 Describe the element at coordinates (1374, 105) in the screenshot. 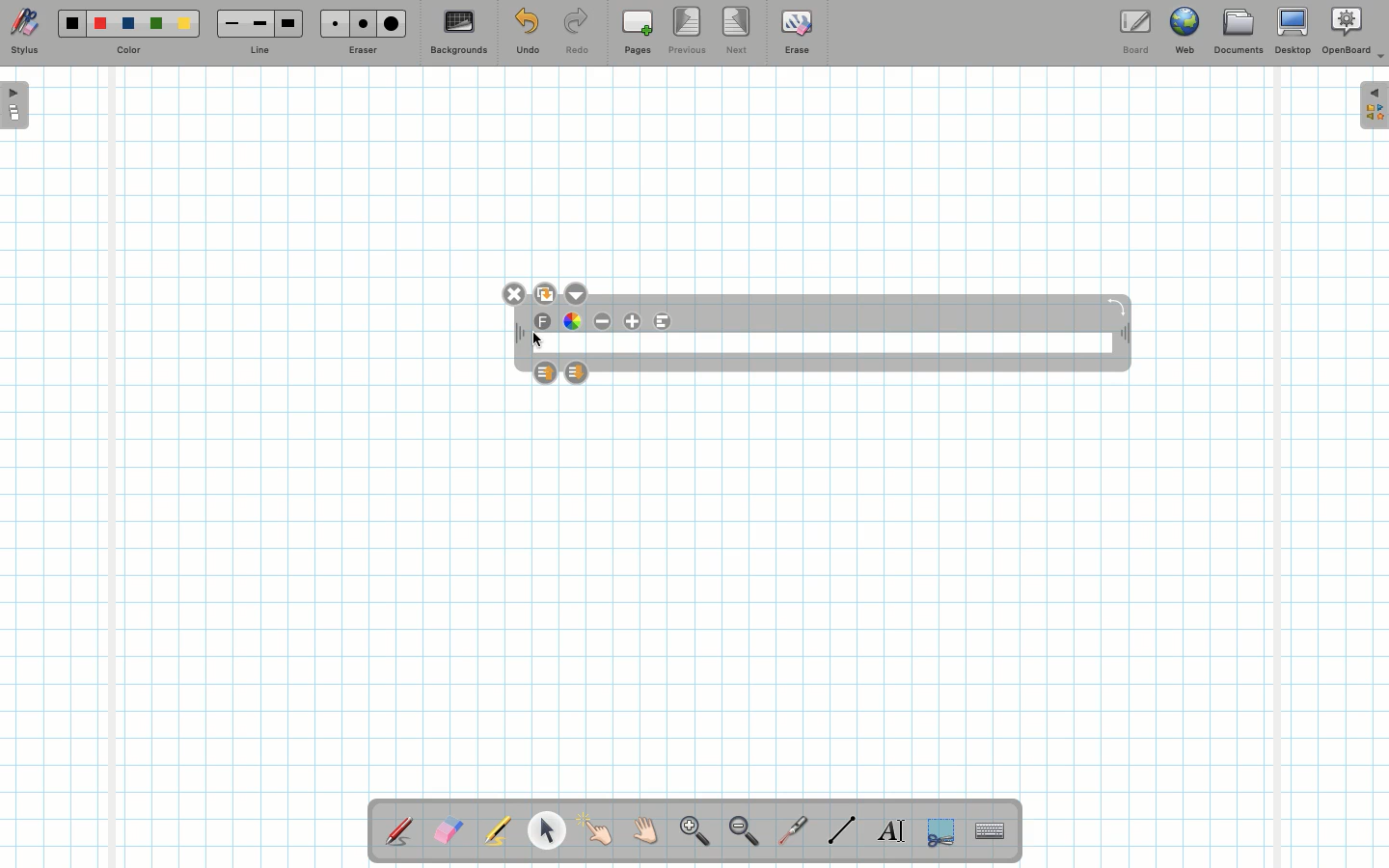

I see `Expand` at that location.